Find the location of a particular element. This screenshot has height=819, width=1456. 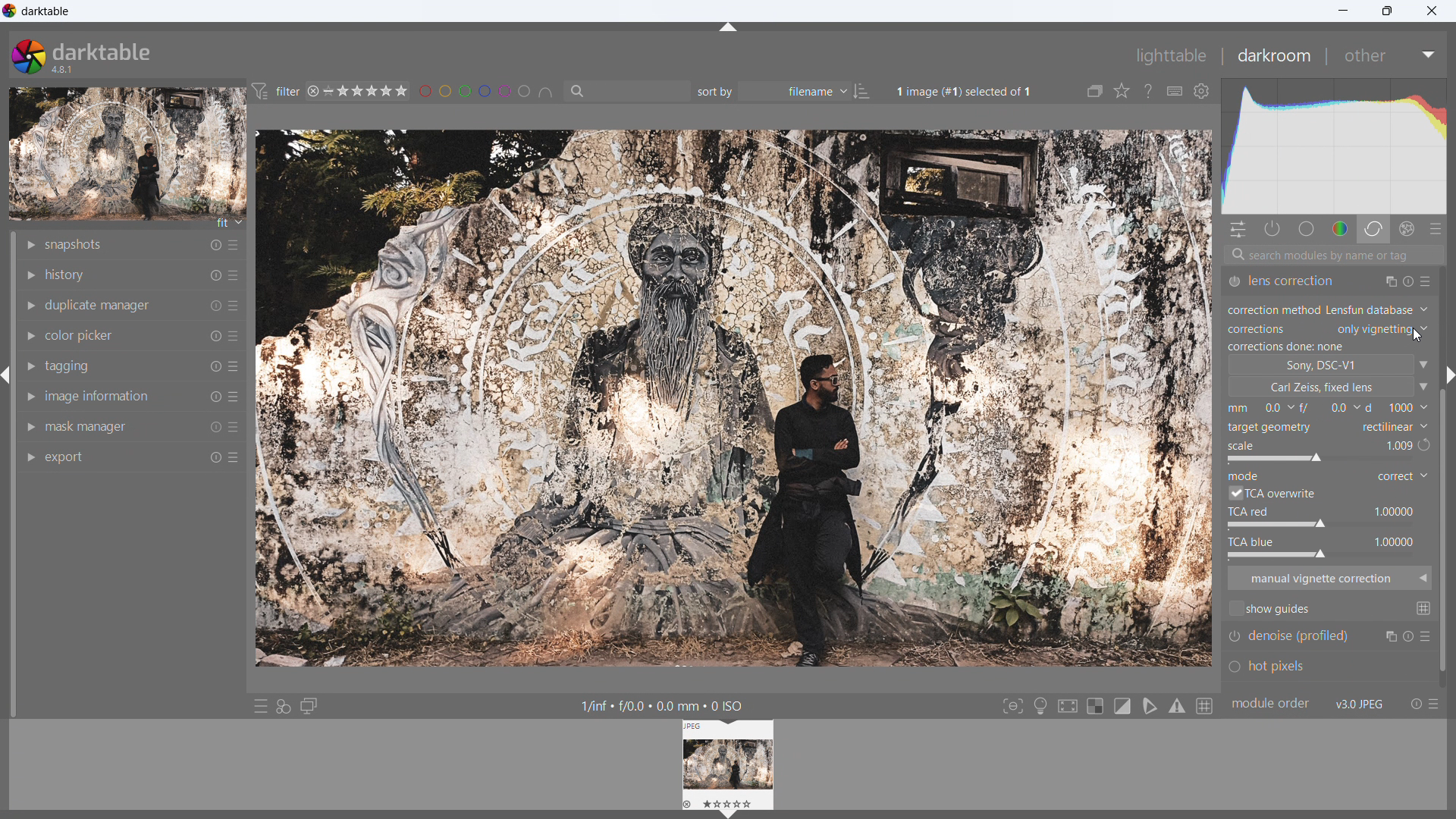

reset is located at coordinates (215, 454).